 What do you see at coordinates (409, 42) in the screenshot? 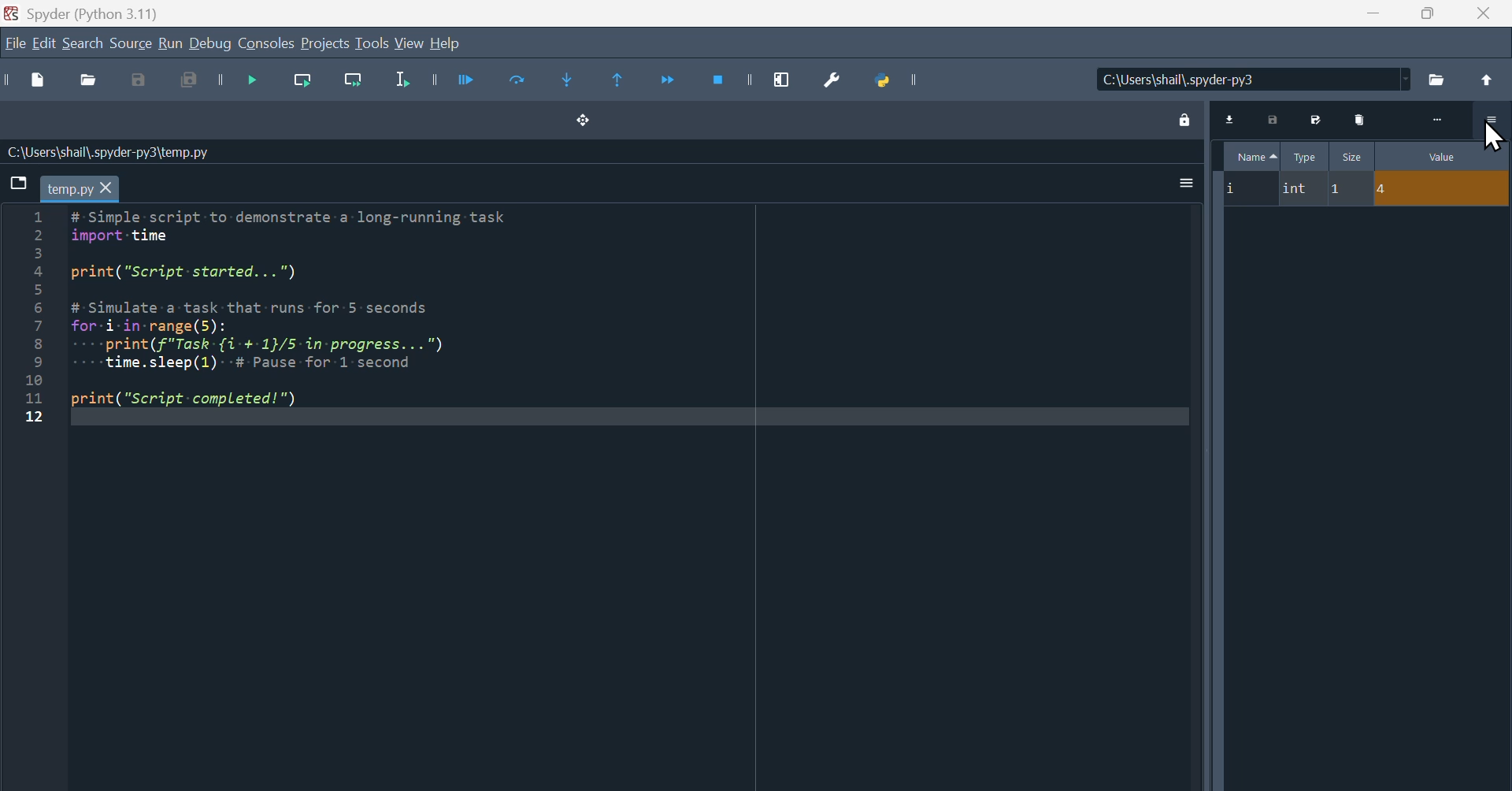
I see `View` at bounding box center [409, 42].